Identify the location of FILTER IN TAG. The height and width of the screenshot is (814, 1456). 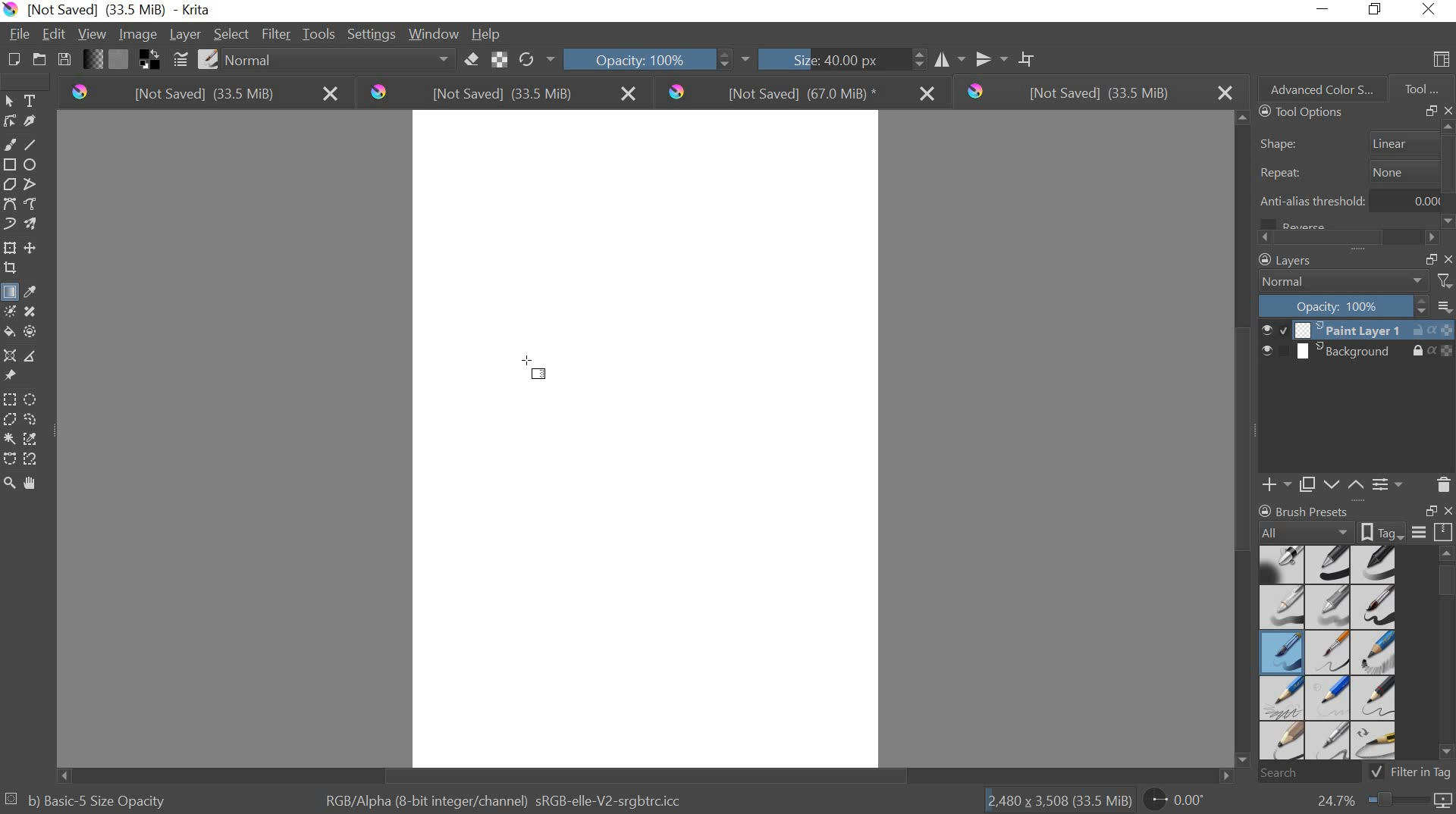
(1424, 773).